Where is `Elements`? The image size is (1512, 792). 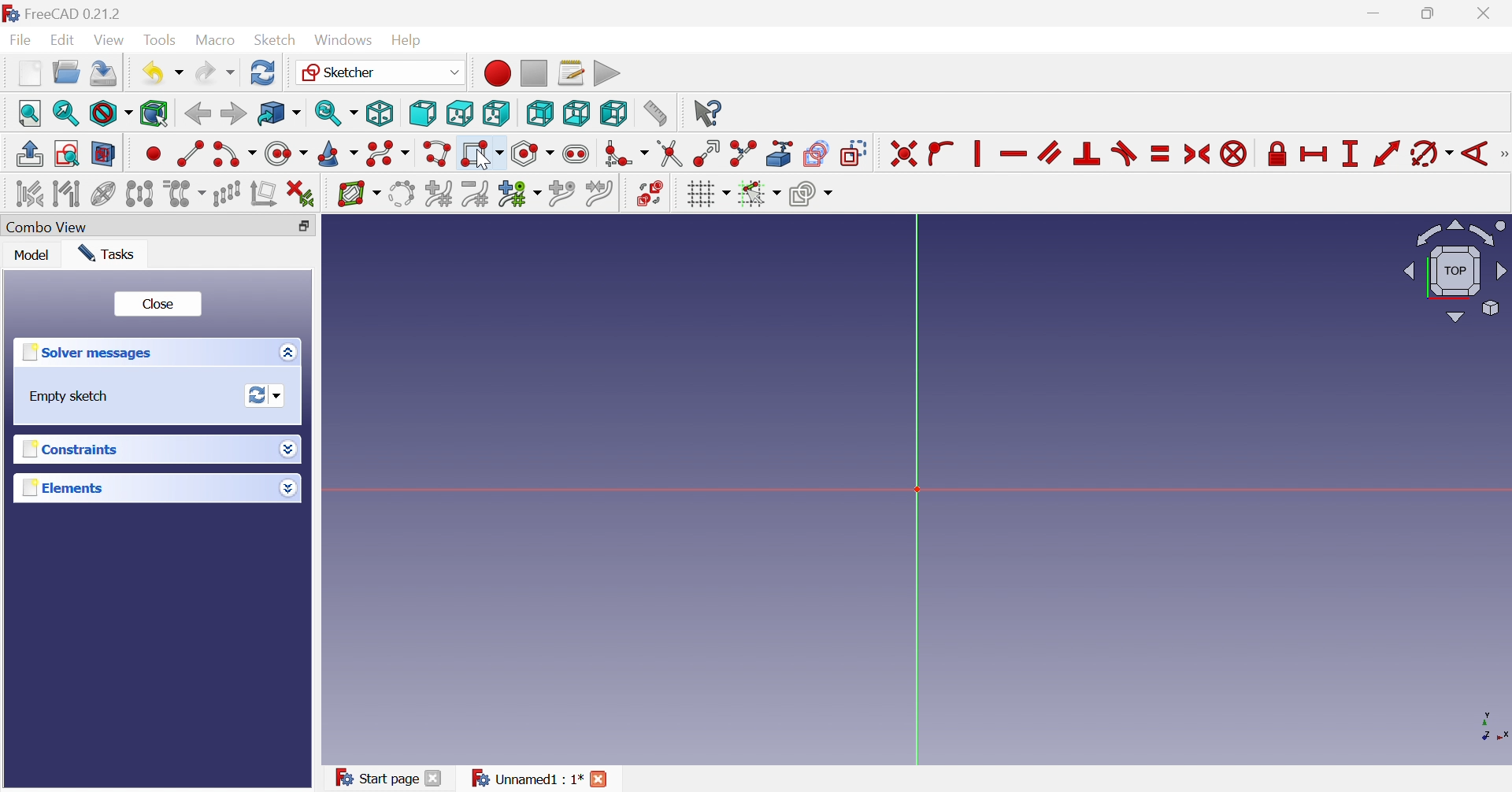 Elements is located at coordinates (62, 488).